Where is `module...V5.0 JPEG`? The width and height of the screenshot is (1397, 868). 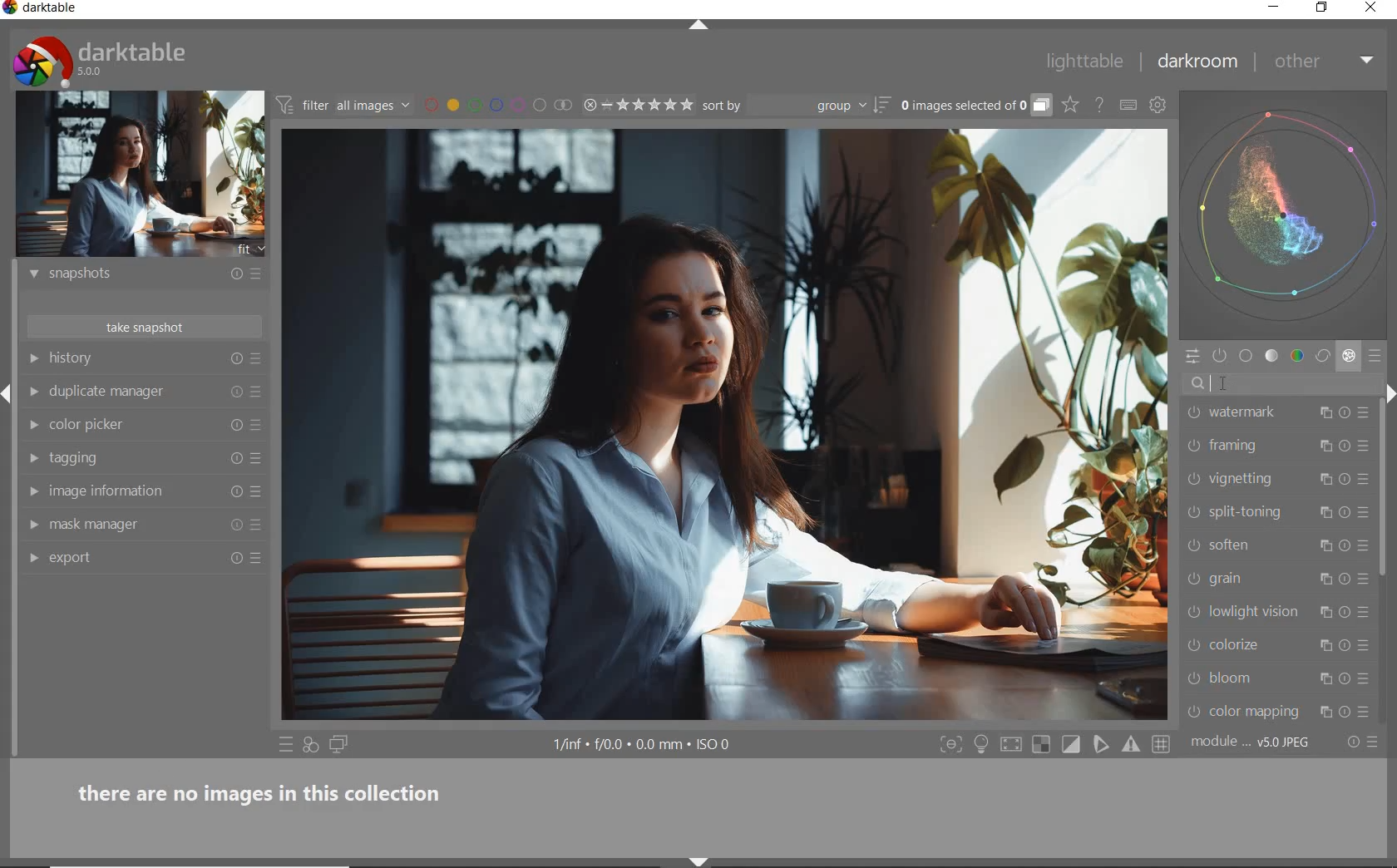
module...V5.0 JPEG is located at coordinates (1251, 742).